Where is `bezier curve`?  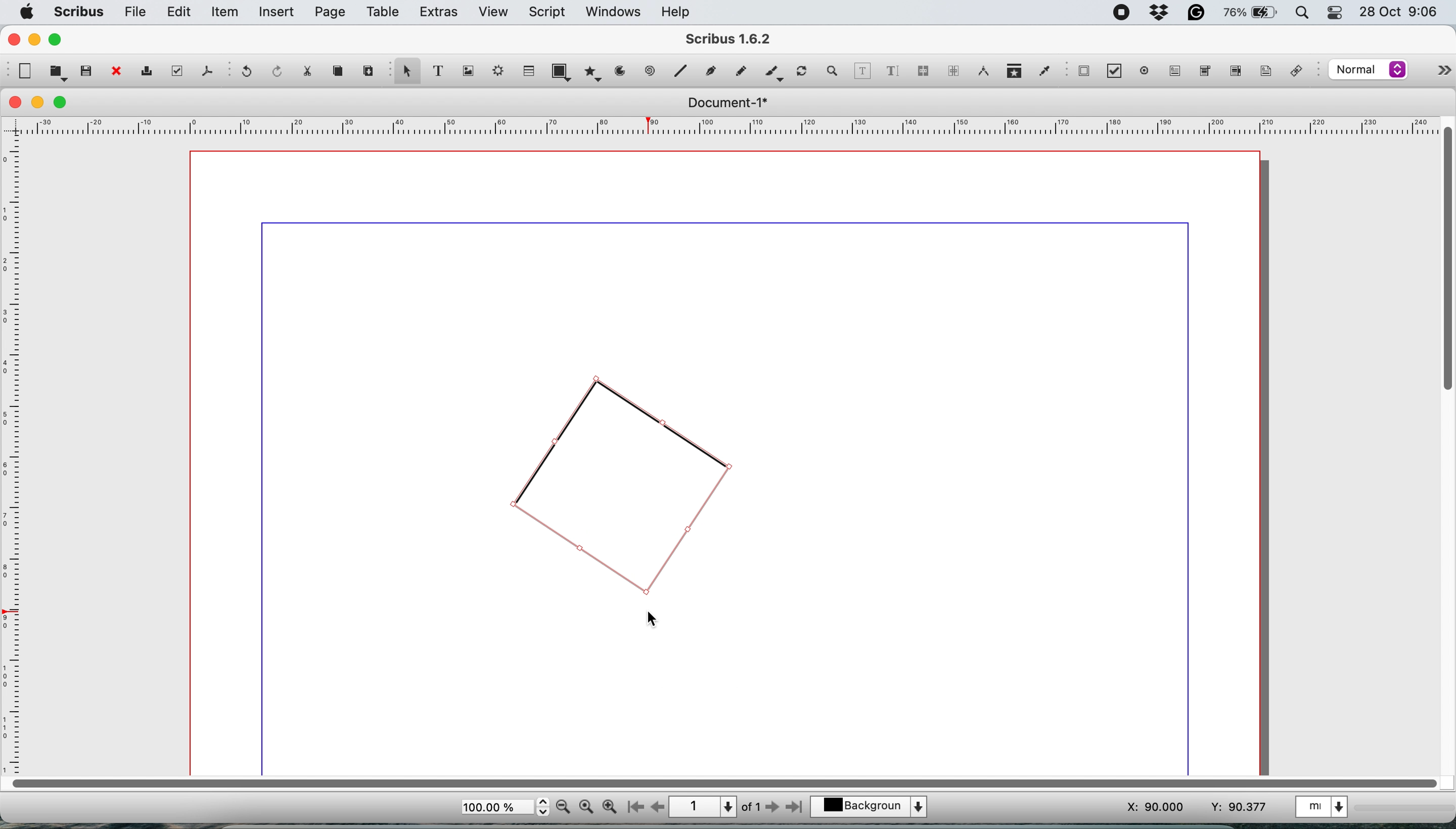
bezier curve is located at coordinates (712, 69).